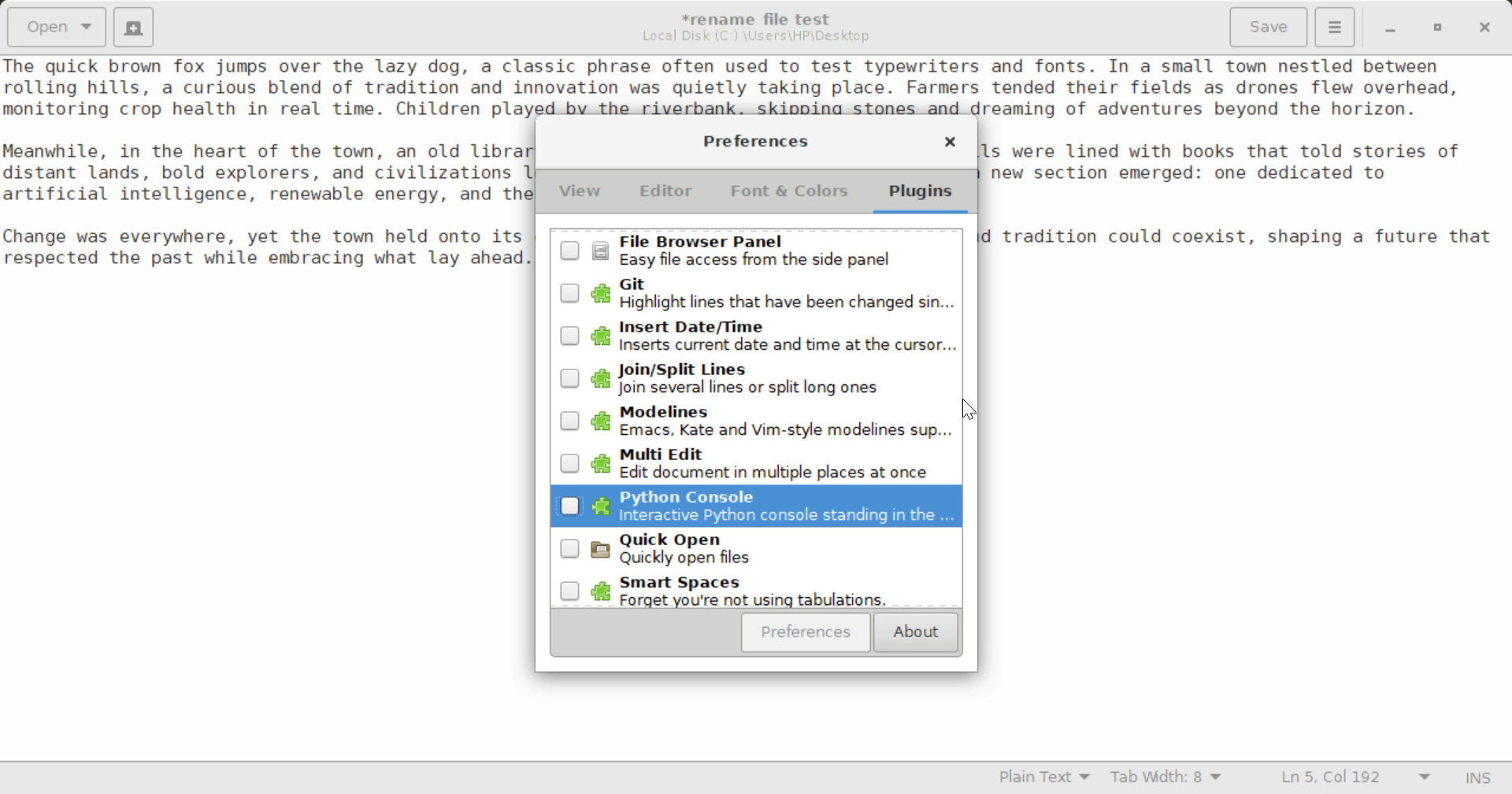 Image resolution: width=1512 pixels, height=794 pixels. What do you see at coordinates (1270, 28) in the screenshot?
I see `Save` at bounding box center [1270, 28].